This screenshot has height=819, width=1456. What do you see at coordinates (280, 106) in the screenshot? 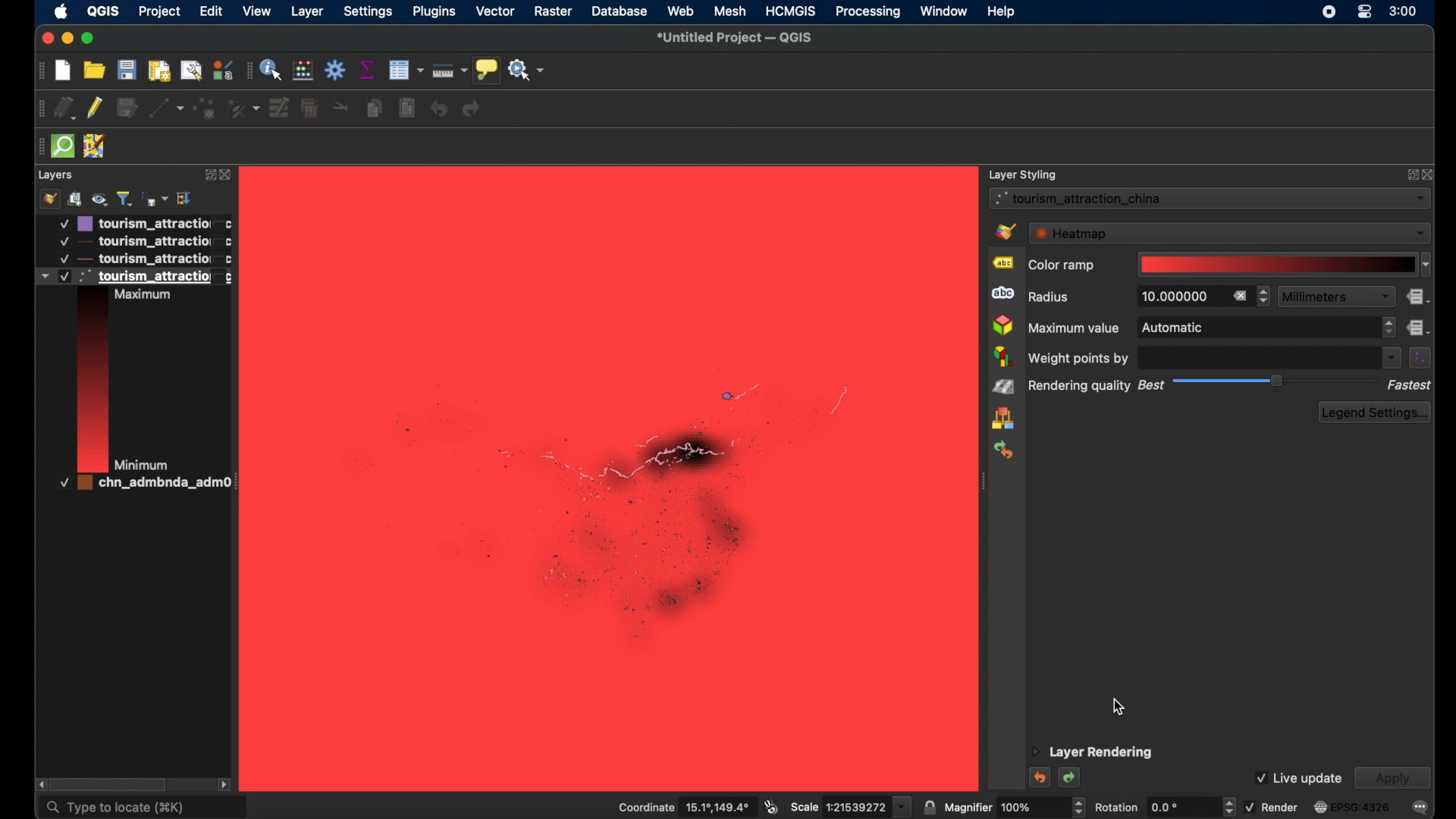
I see `modify attributes` at bounding box center [280, 106].